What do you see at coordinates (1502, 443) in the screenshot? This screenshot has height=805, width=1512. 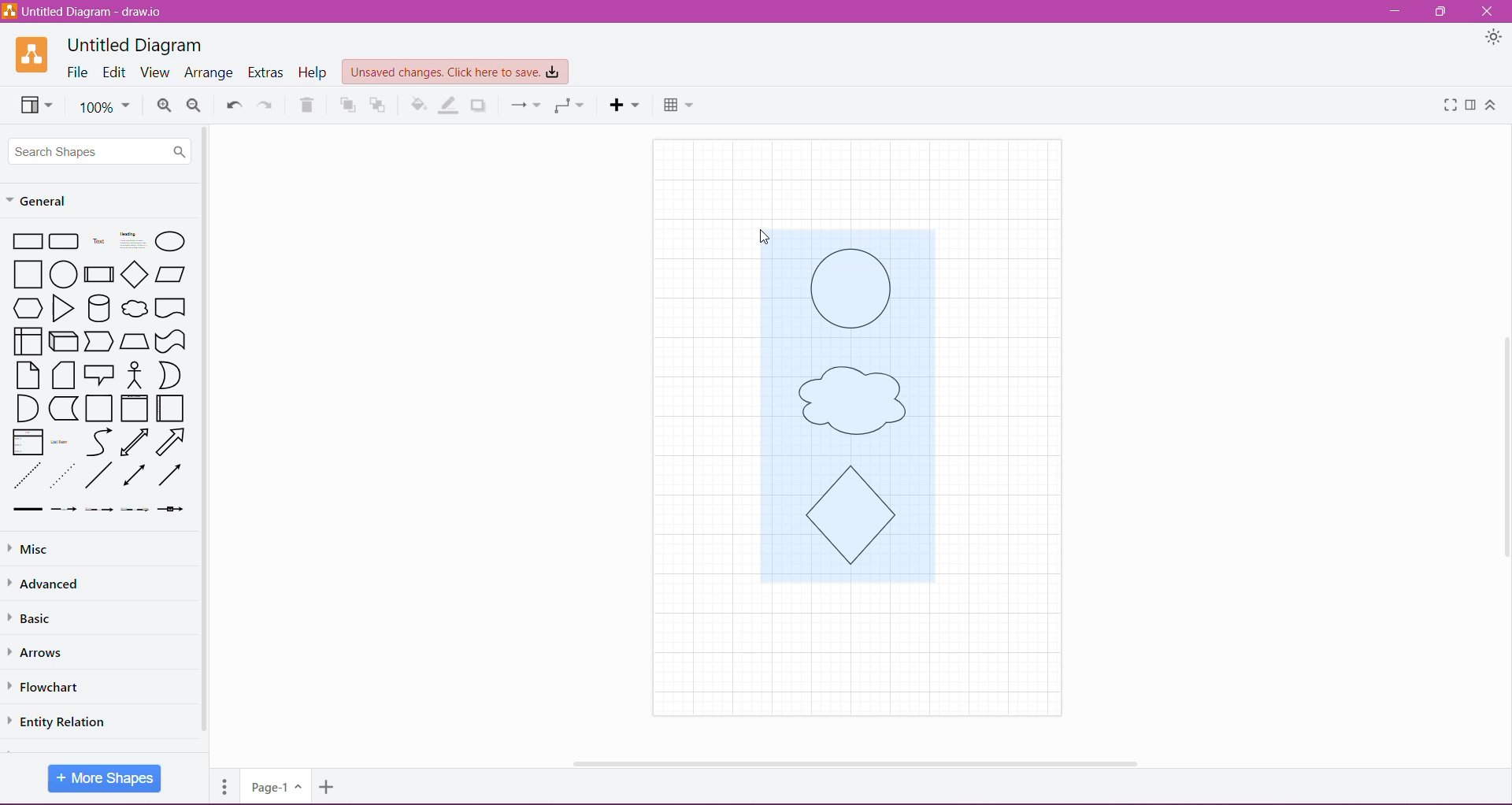 I see `Vertical Scroll Bar` at bounding box center [1502, 443].